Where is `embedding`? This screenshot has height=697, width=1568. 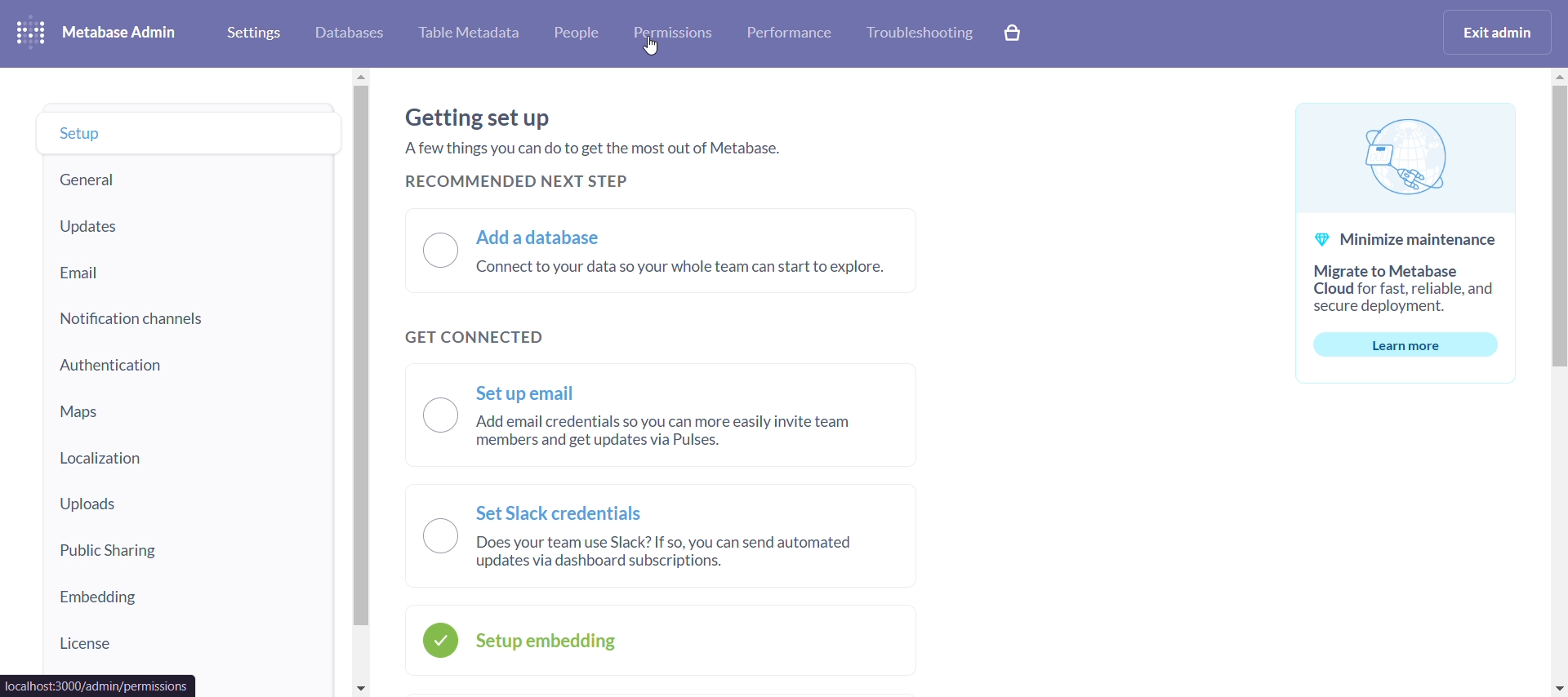 embedding is located at coordinates (188, 602).